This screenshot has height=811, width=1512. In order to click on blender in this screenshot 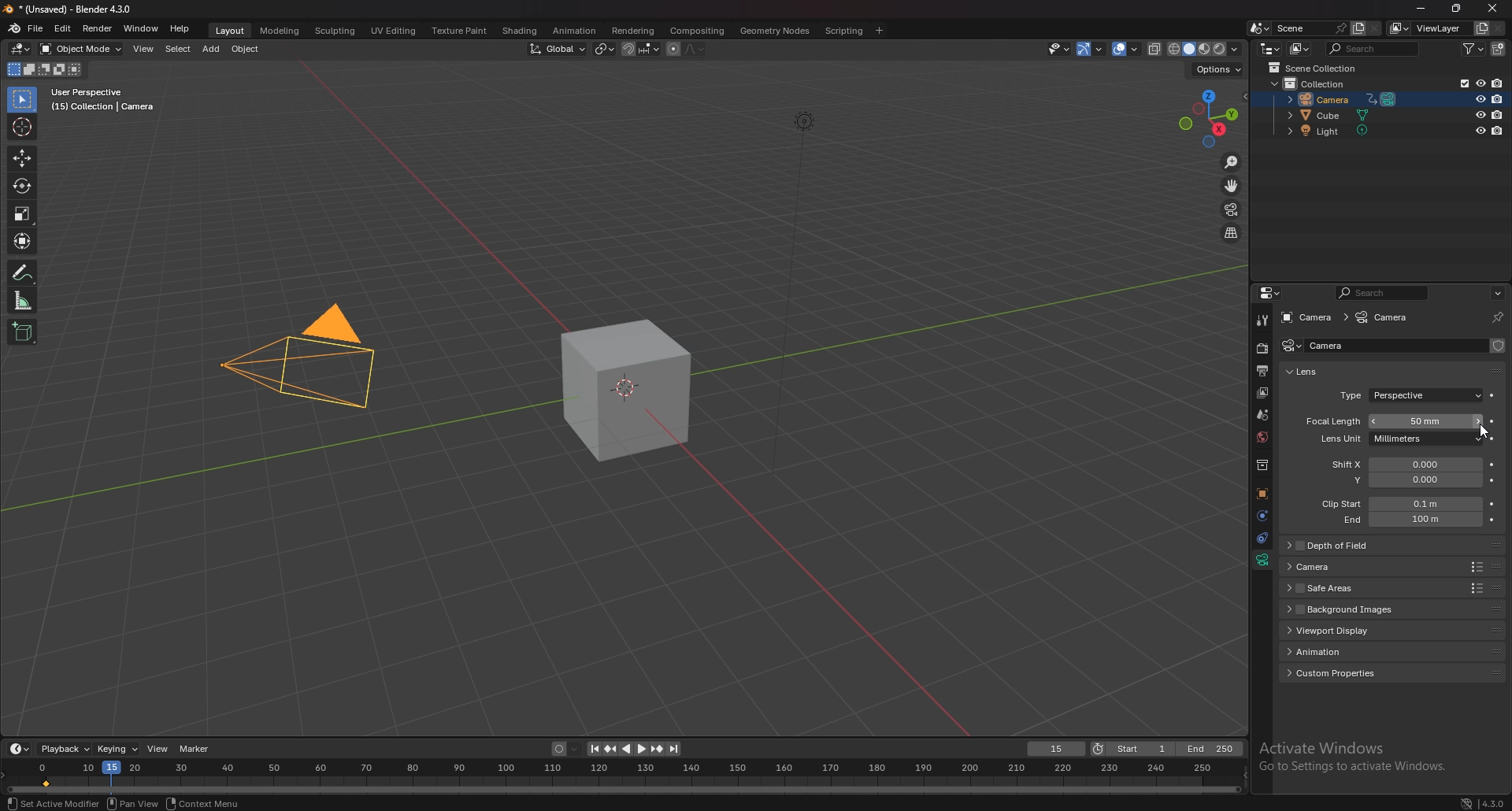, I will do `click(16, 28)`.